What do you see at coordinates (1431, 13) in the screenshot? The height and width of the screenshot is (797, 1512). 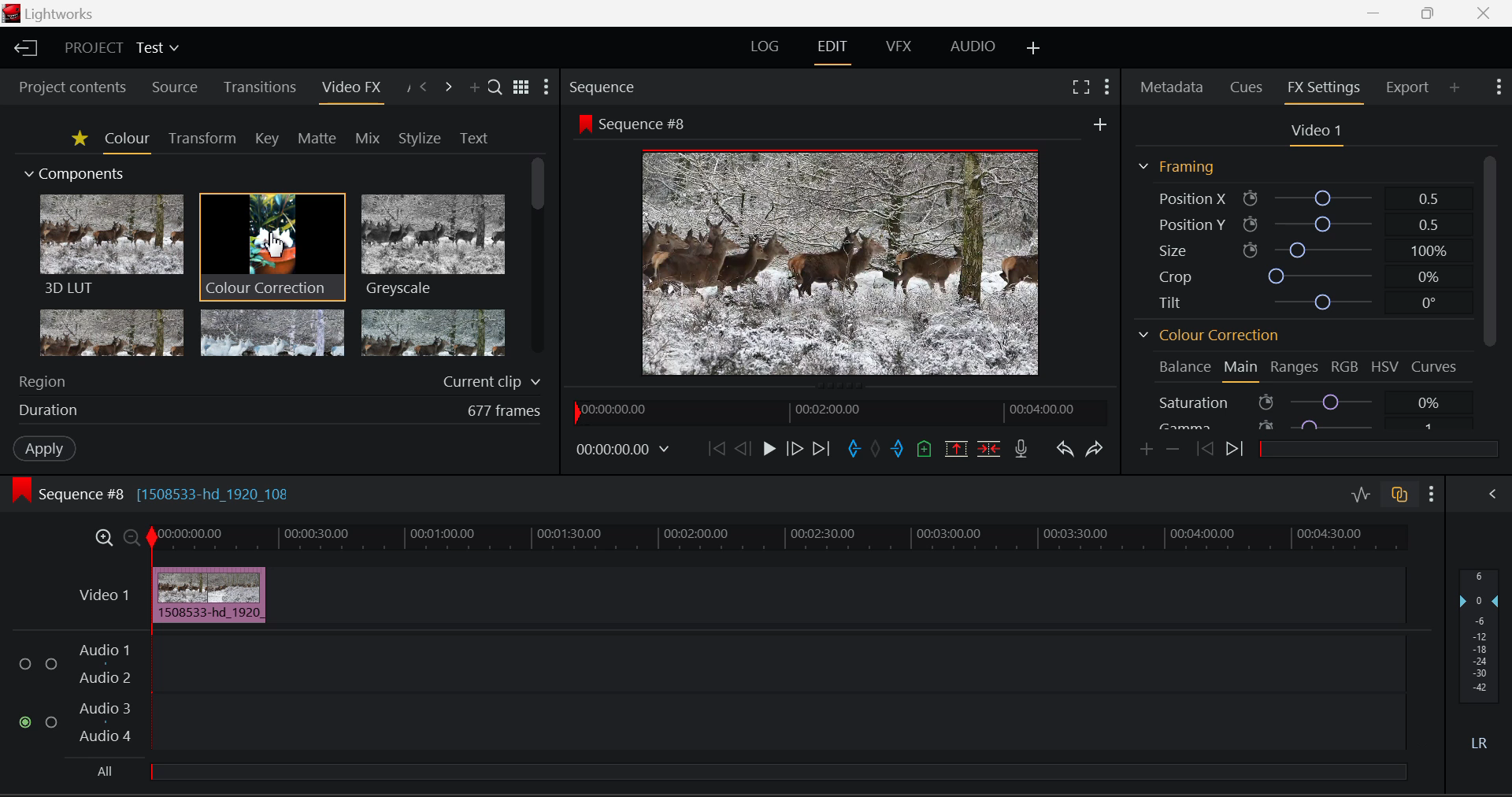 I see `Minimize` at bounding box center [1431, 13].